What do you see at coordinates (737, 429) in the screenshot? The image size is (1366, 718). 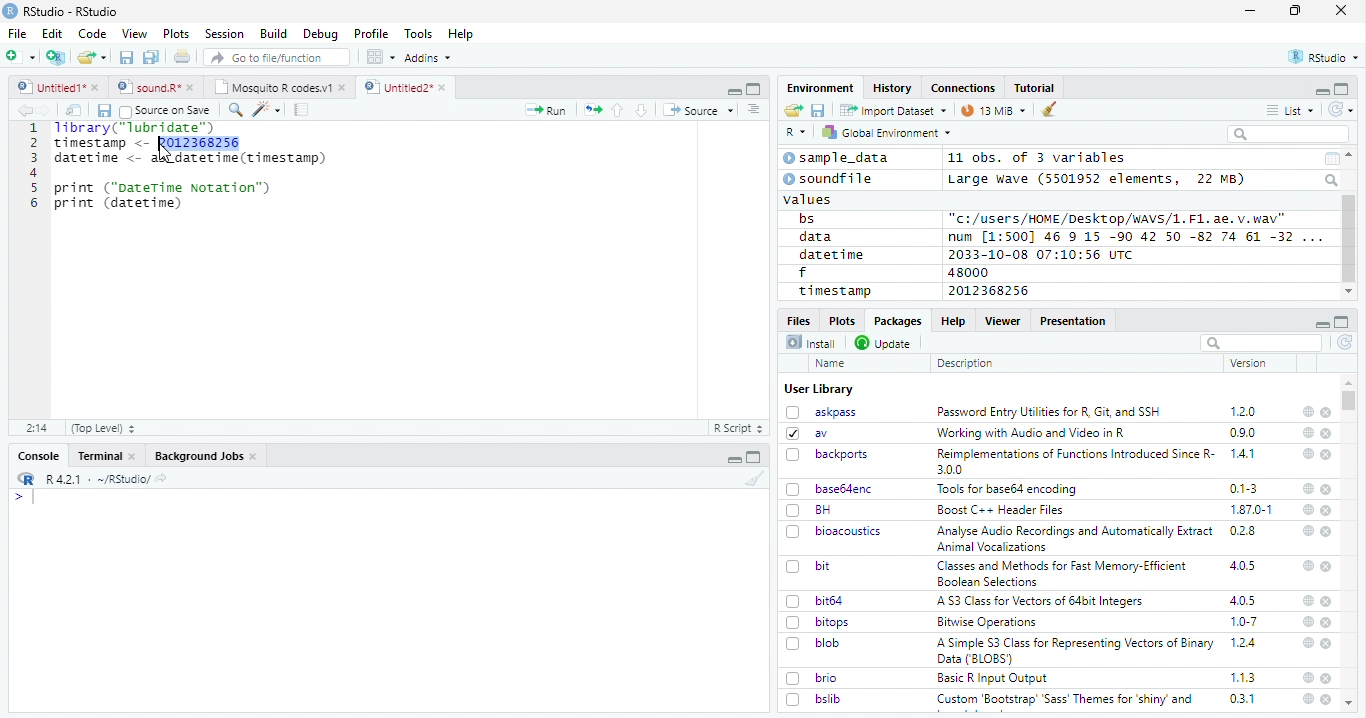 I see `R Script` at bounding box center [737, 429].